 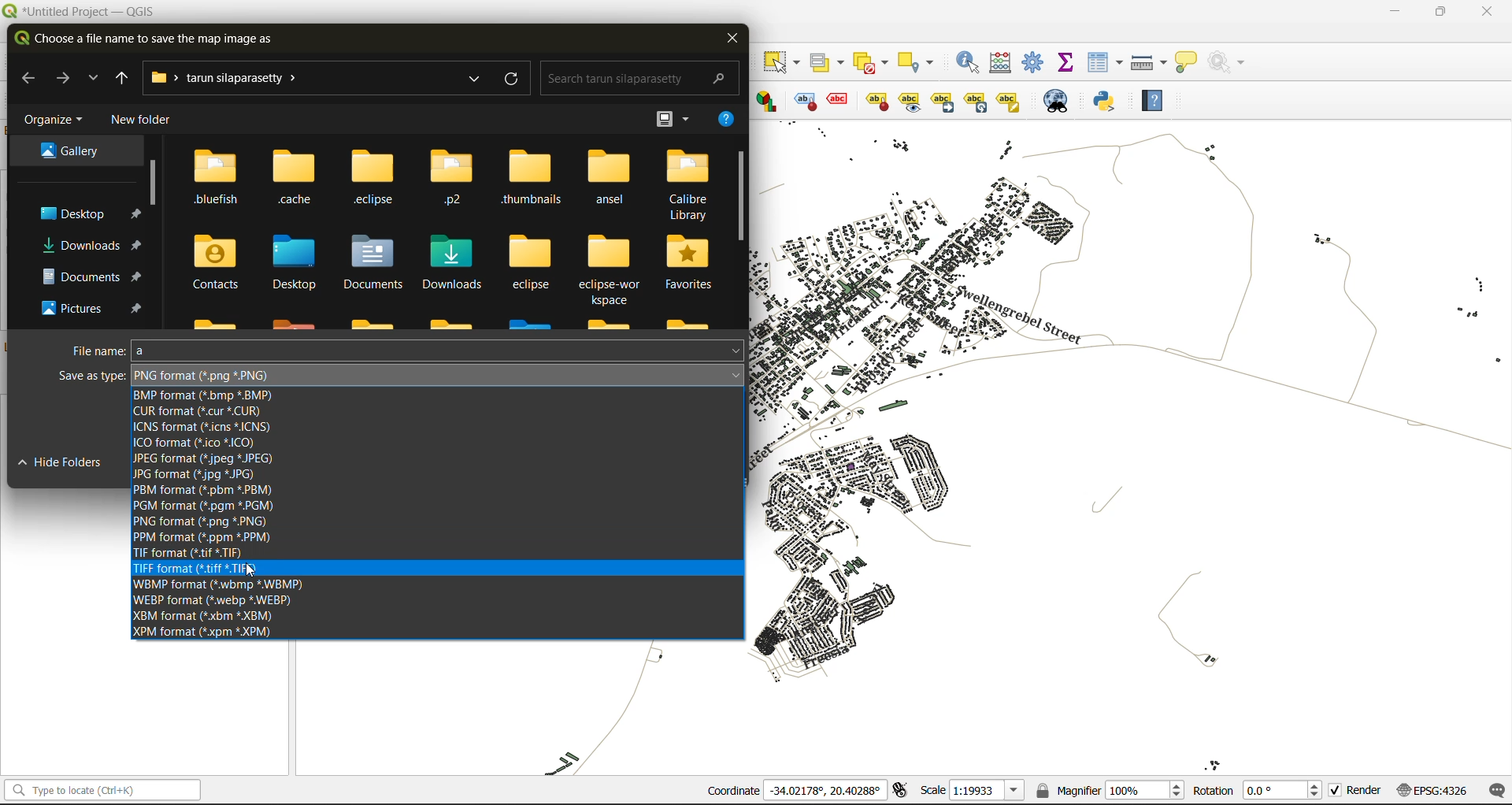 I want to click on vertical scroll bar, so click(x=150, y=180).